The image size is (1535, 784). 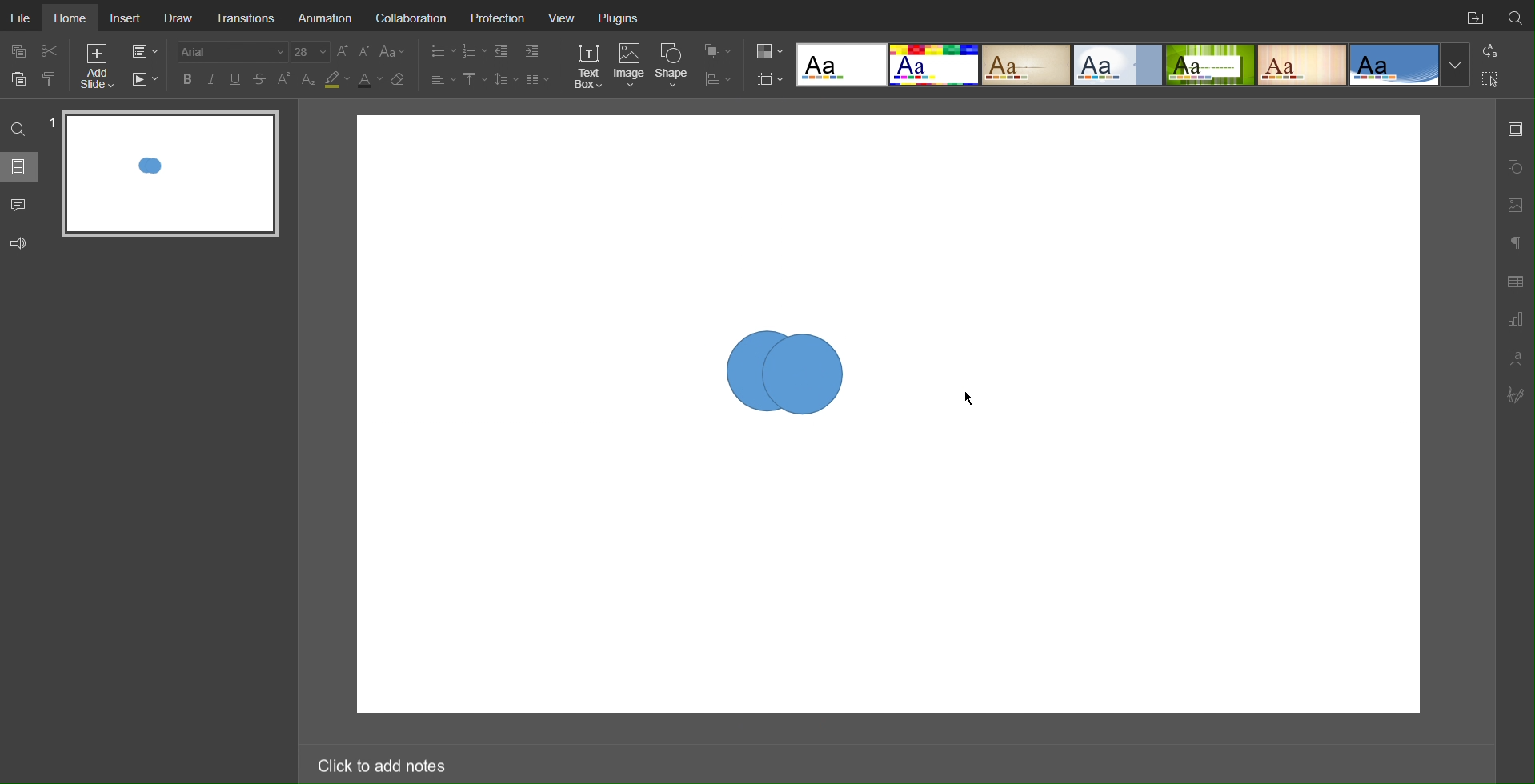 What do you see at coordinates (631, 66) in the screenshot?
I see `Image` at bounding box center [631, 66].